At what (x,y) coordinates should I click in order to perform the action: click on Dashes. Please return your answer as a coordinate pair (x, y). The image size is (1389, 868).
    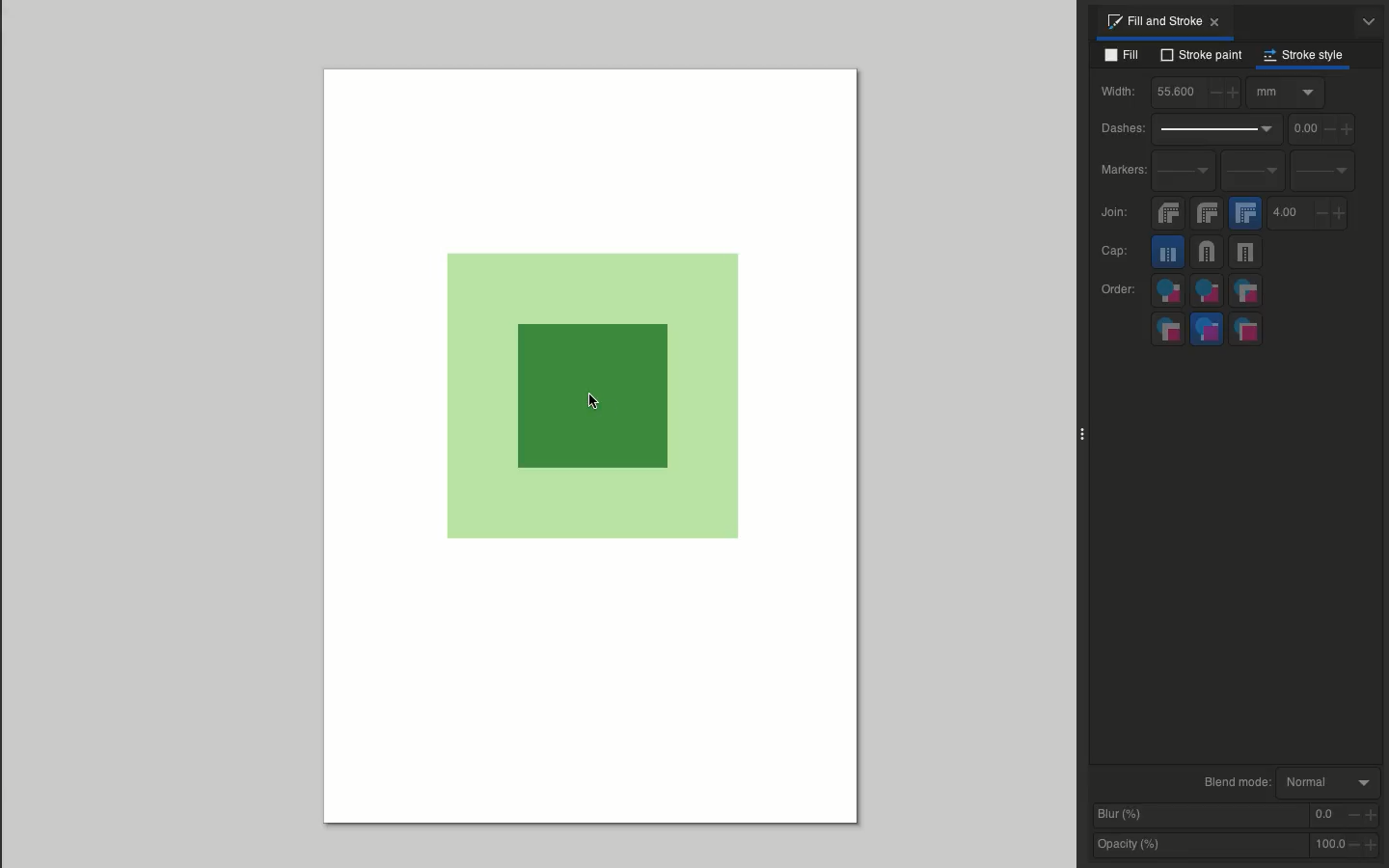
    Looking at the image, I should click on (1119, 127).